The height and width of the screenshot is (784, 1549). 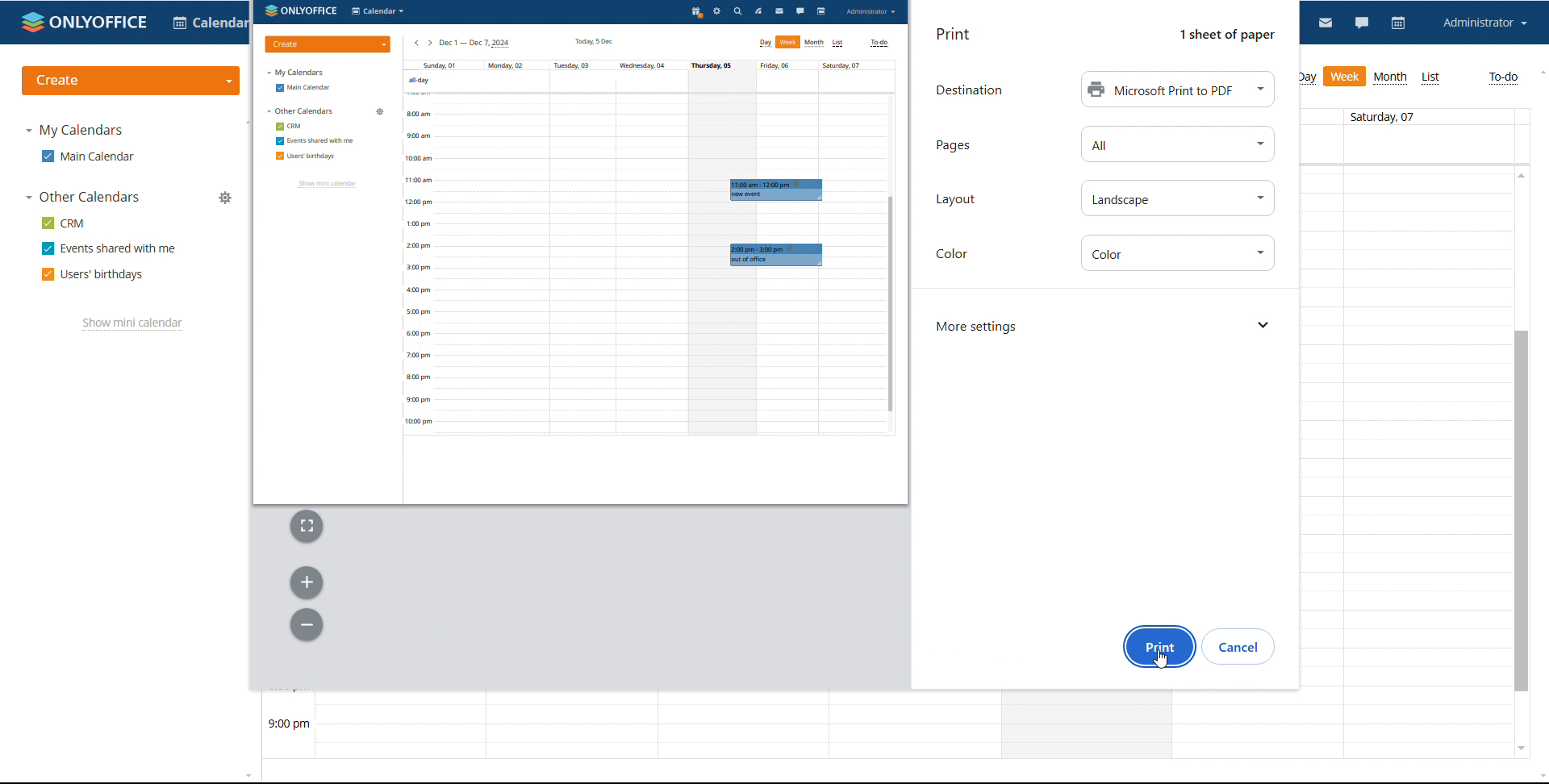 What do you see at coordinates (307, 527) in the screenshot?
I see `fit to width` at bounding box center [307, 527].